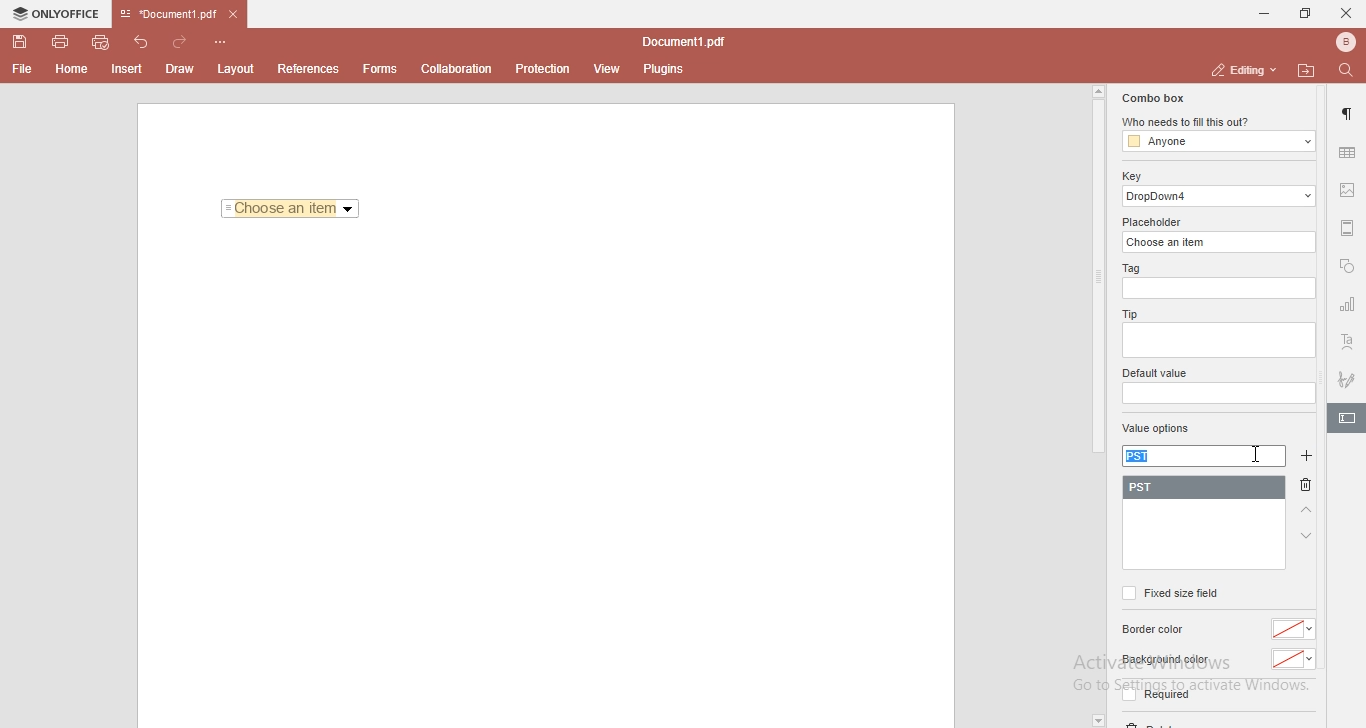 The height and width of the screenshot is (728, 1366). What do you see at coordinates (1307, 511) in the screenshot?
I see `arrow up` at bounding box center [1307, 511].